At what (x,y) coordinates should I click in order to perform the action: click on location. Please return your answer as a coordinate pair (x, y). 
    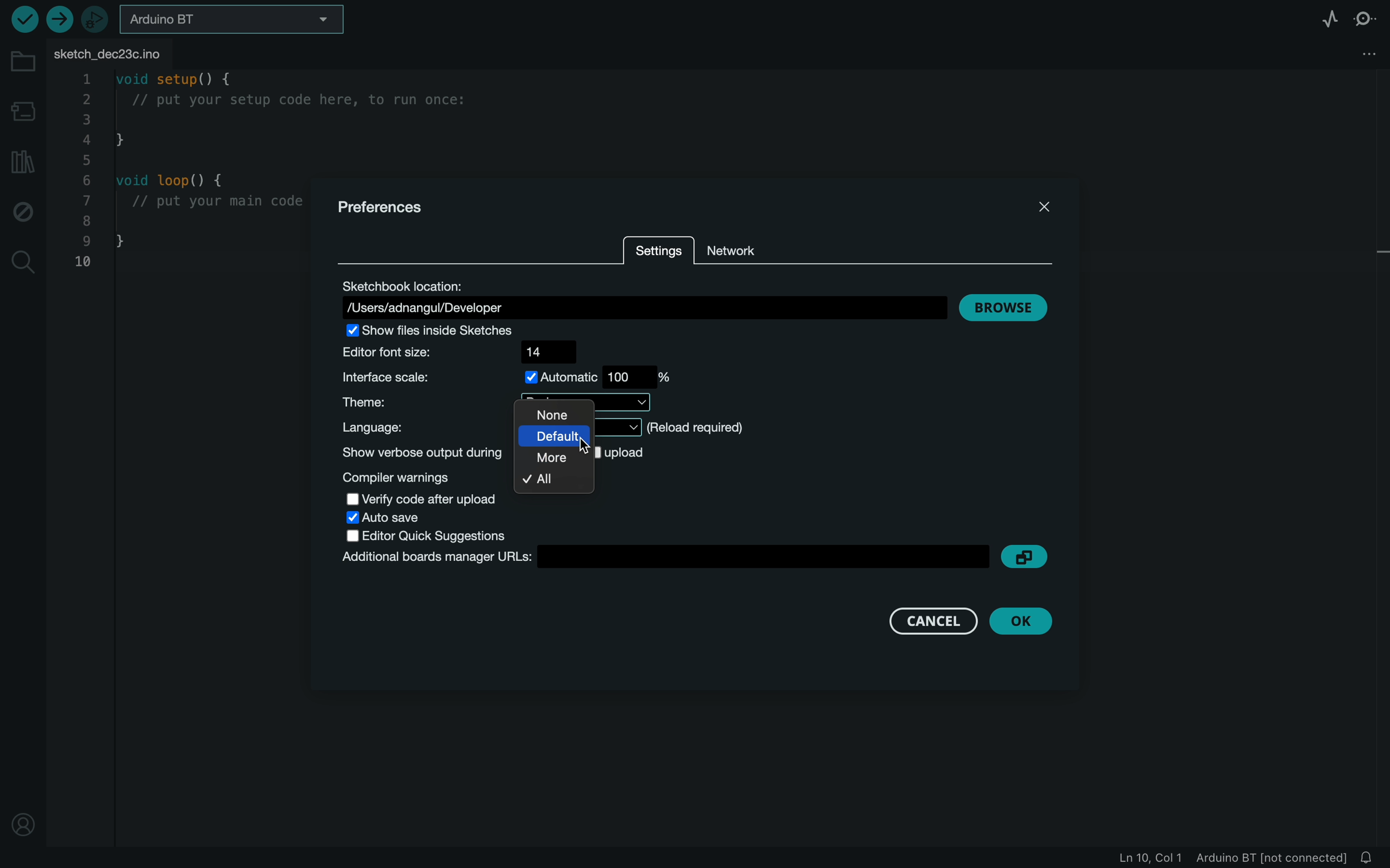
    Looking at the image, I should click on (643, 299).